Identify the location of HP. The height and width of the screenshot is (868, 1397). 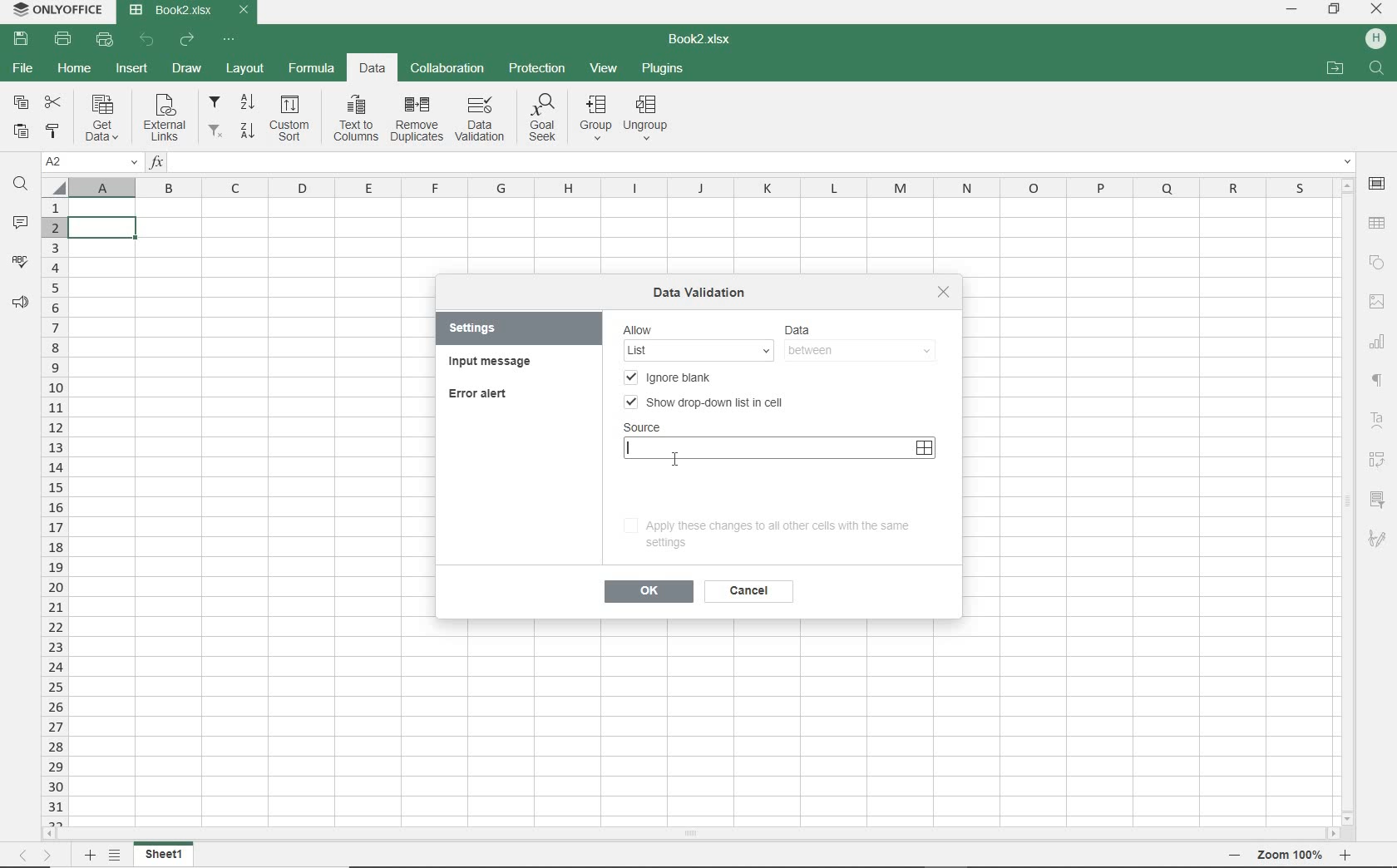
(1376, 40).